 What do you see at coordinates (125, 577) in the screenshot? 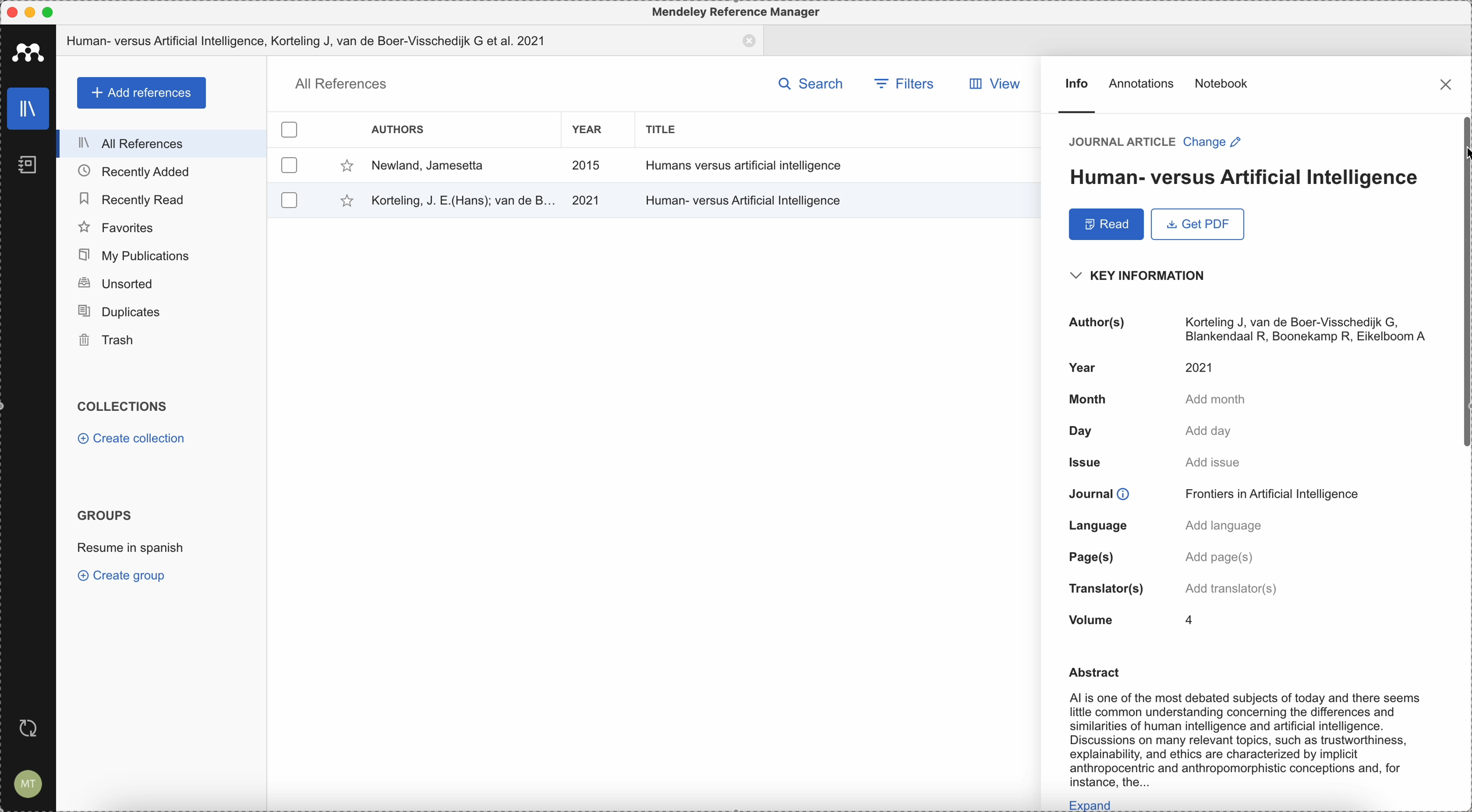
I see `create group` at bounding box center [125, 577].